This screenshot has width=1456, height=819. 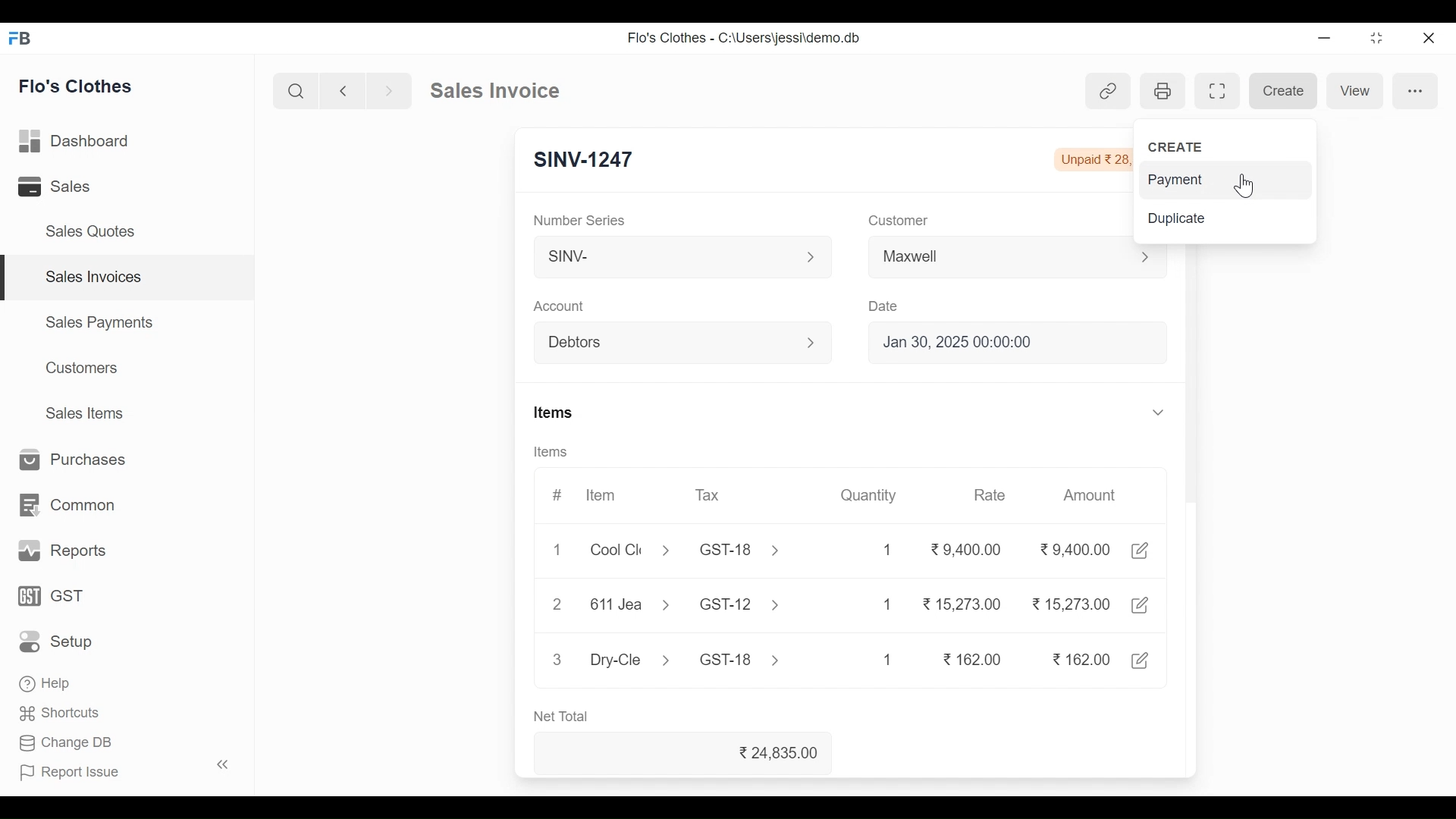 I want to click on Cool Cle > GST-18 >, so click(x=685, y=549).